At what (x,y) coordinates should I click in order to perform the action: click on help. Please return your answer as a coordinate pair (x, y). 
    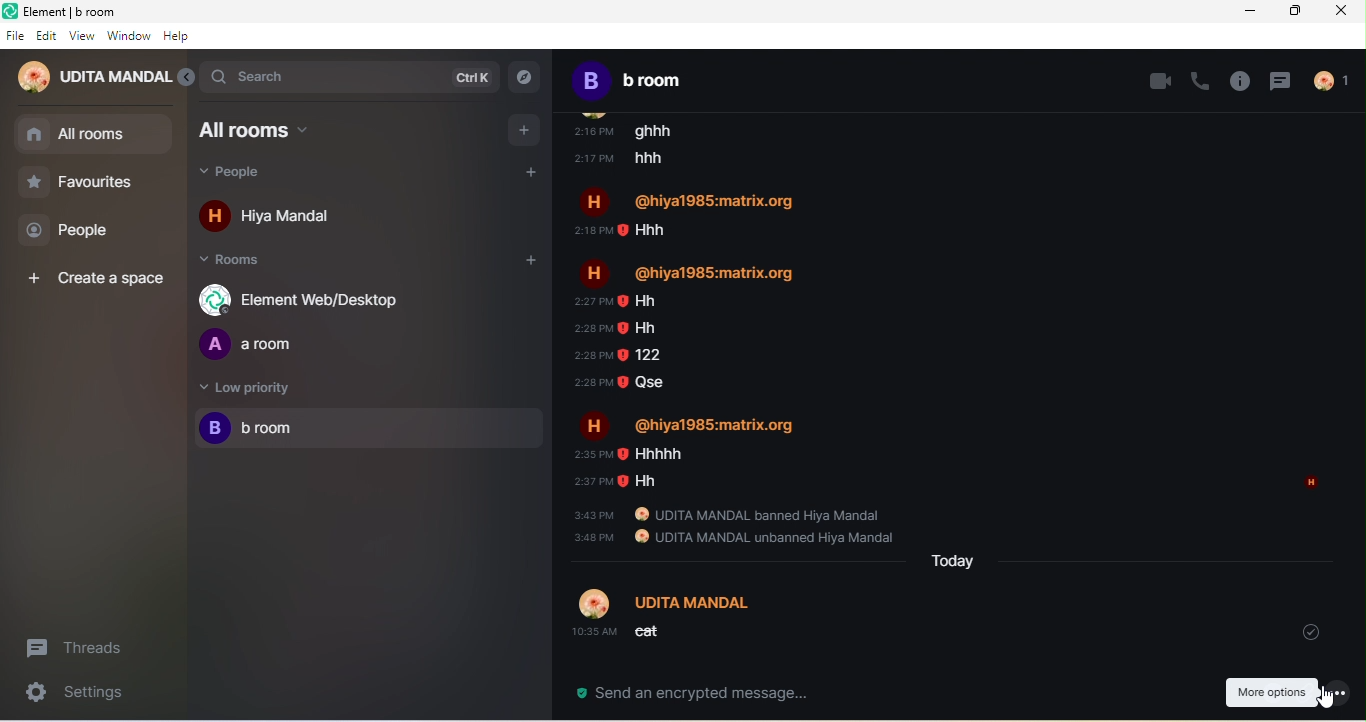
    Looking at the image, I should click on (179, 37).